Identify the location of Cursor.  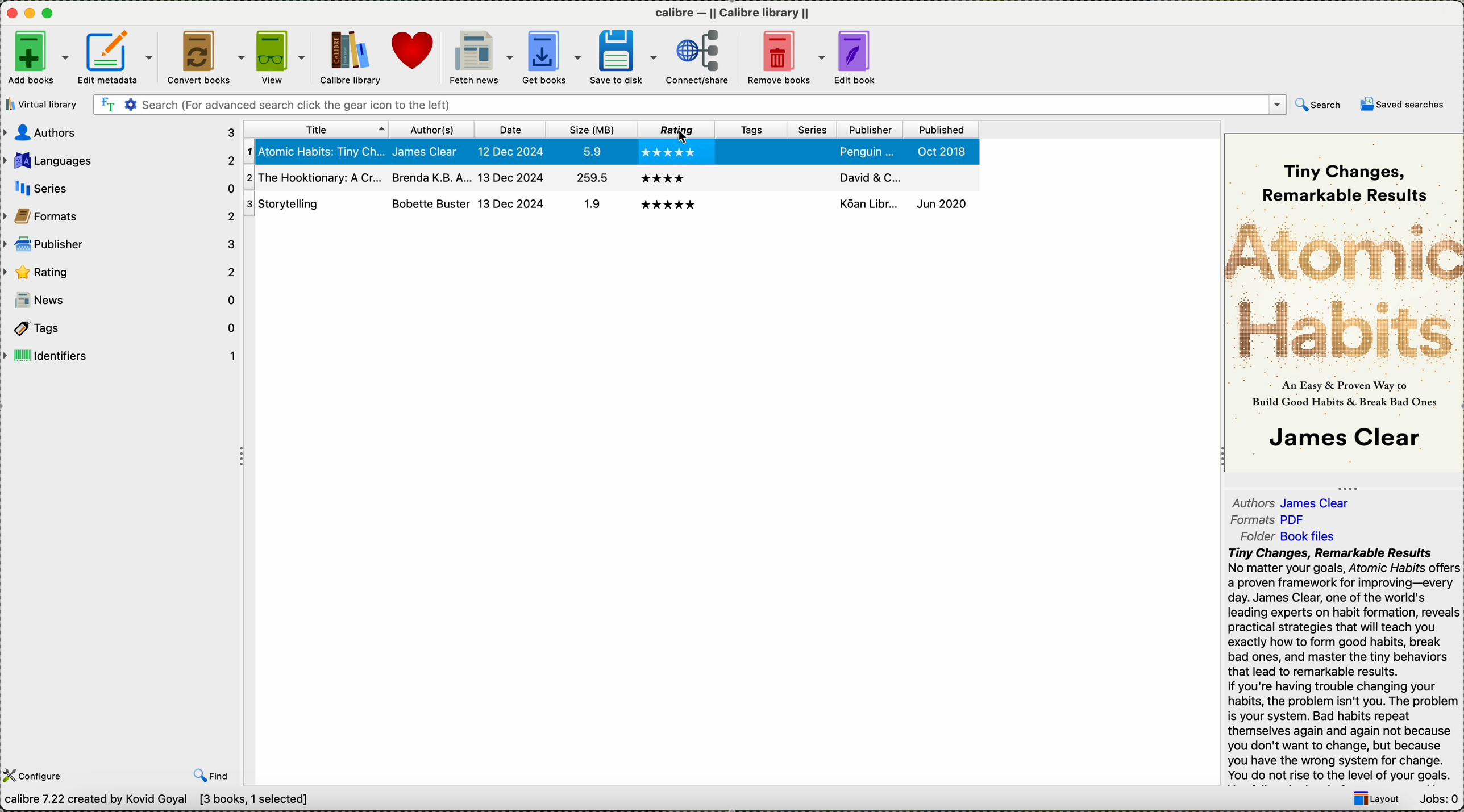
(685, 138).